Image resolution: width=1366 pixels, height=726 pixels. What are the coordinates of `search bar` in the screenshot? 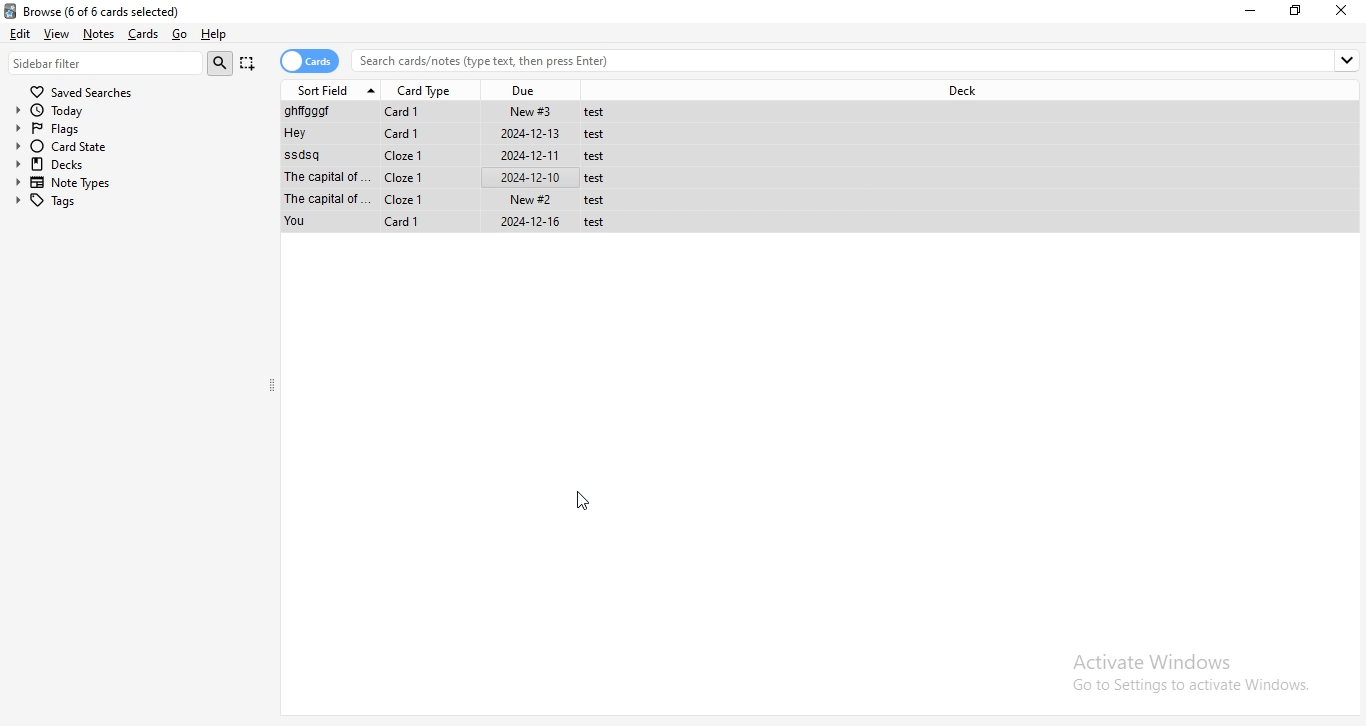 It's located at (858, 60).